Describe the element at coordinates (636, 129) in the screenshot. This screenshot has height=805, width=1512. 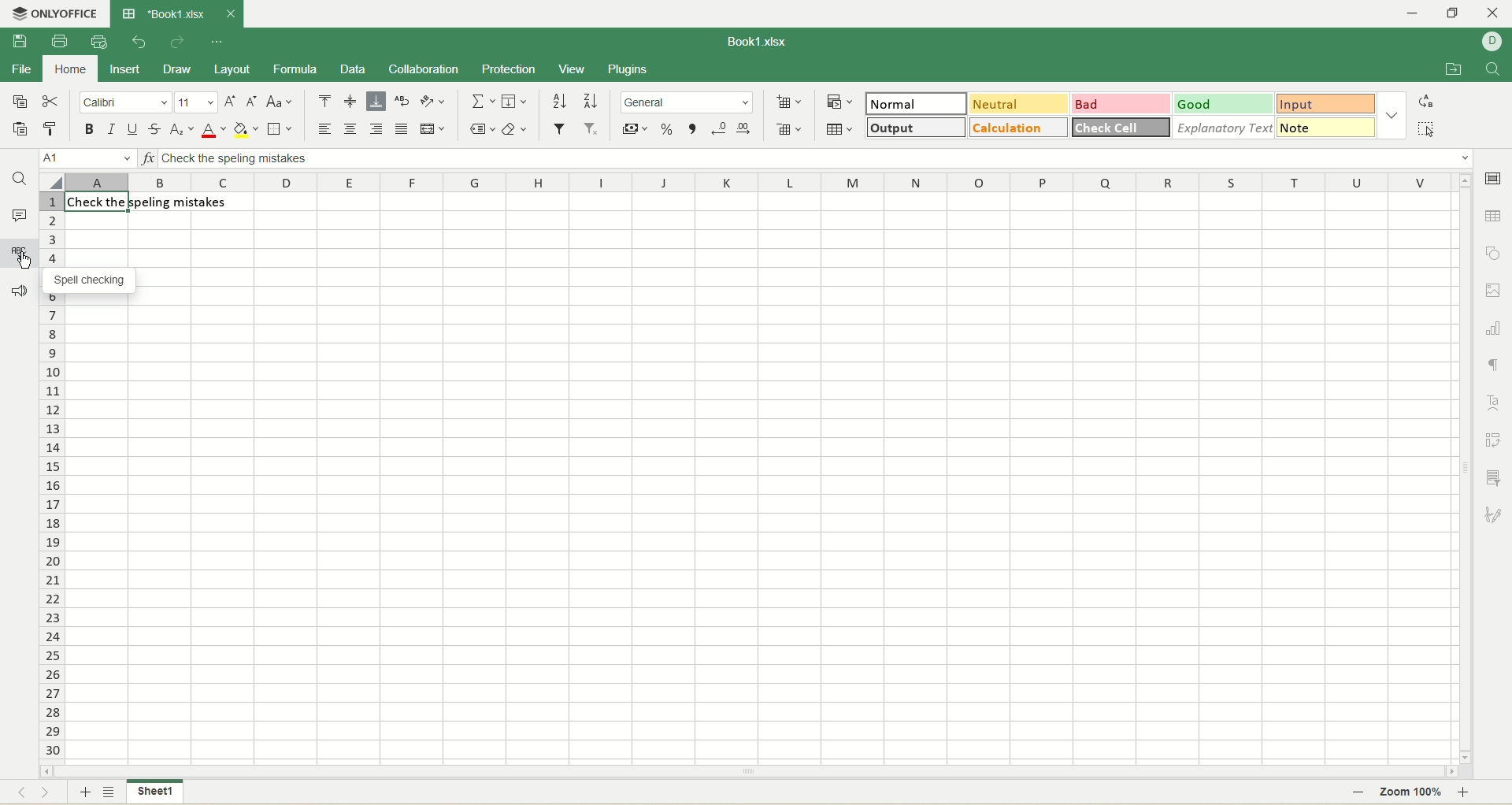
I see `currency style` at that location.